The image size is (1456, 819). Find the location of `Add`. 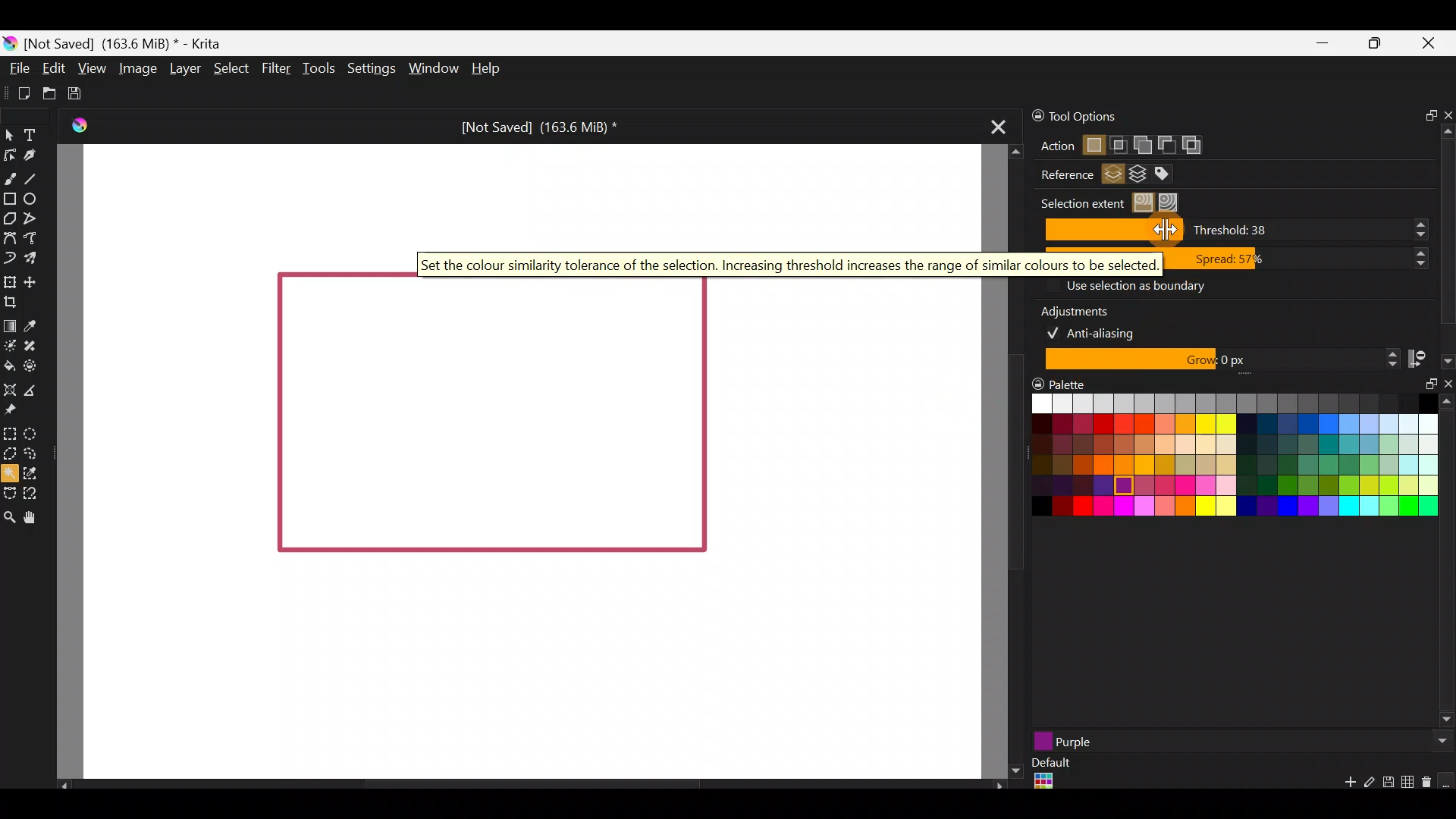

Add is located at coordinates (1141, 142).